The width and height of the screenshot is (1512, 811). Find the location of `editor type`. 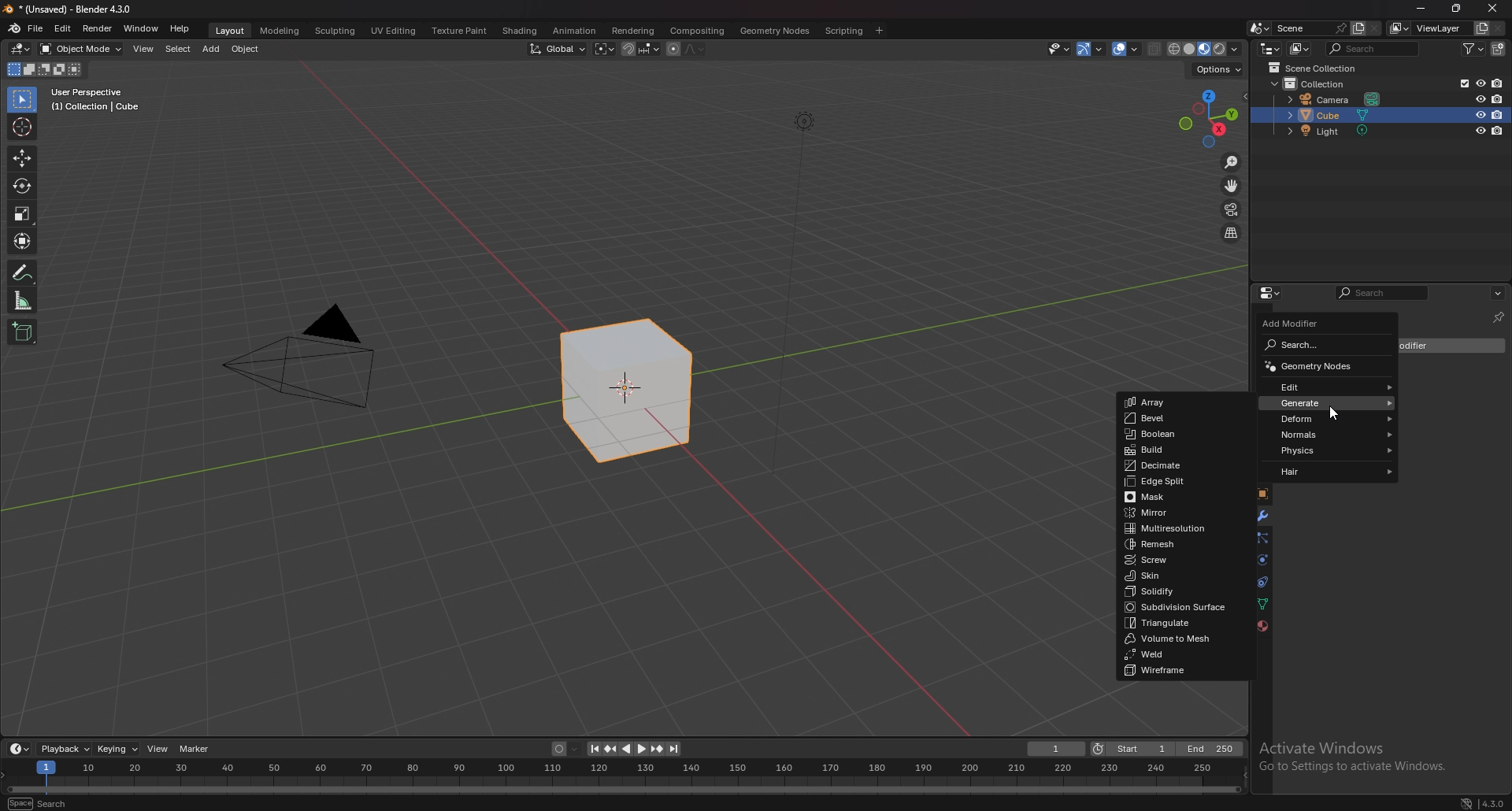

editor type is located at coordinates (20, 749).